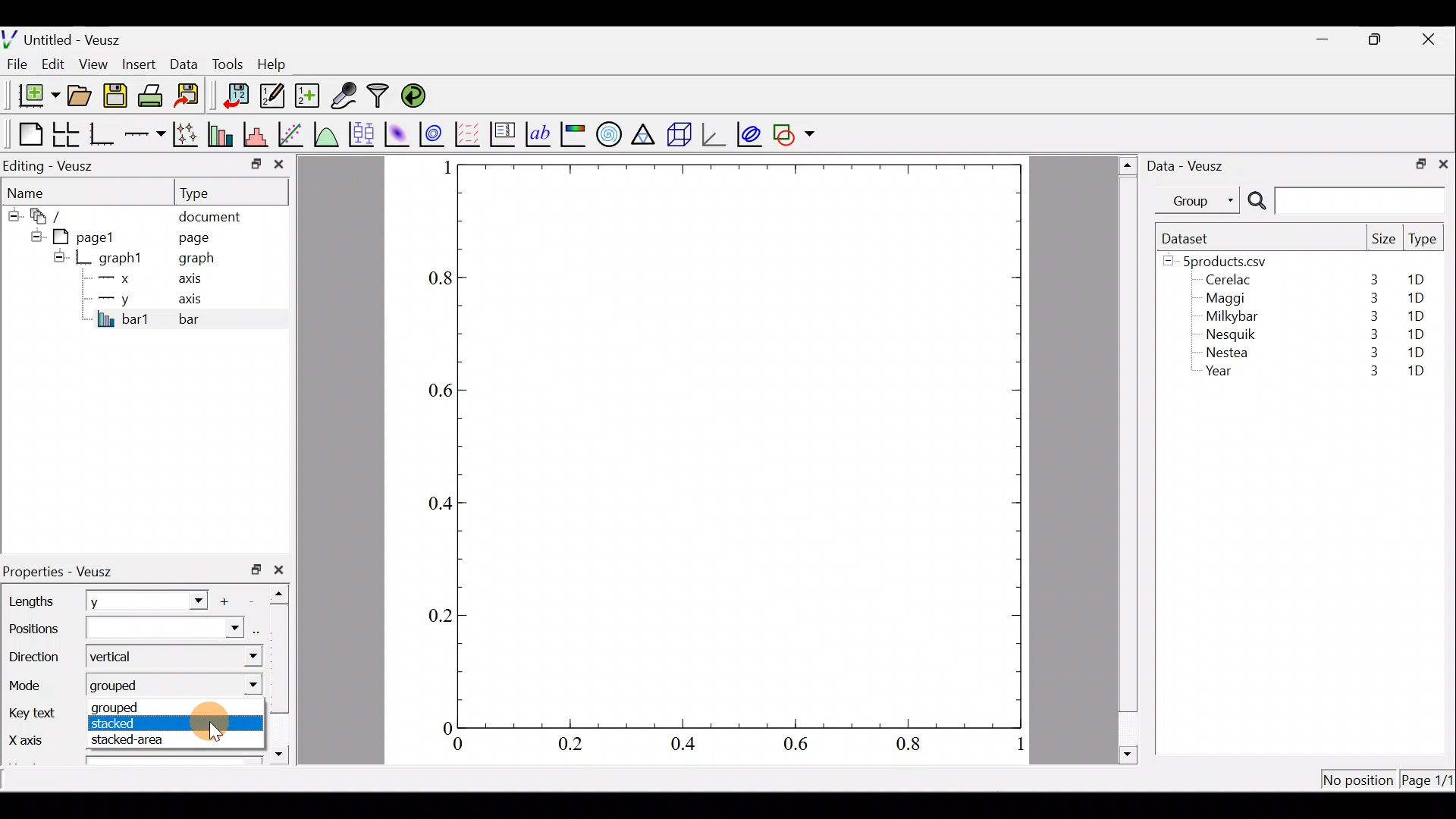 The height and width of the screenshot is (819, 1456). What do you see at coordinates (209, 214) in the screenshot?
I see `document` at bounding box center [209, 214].